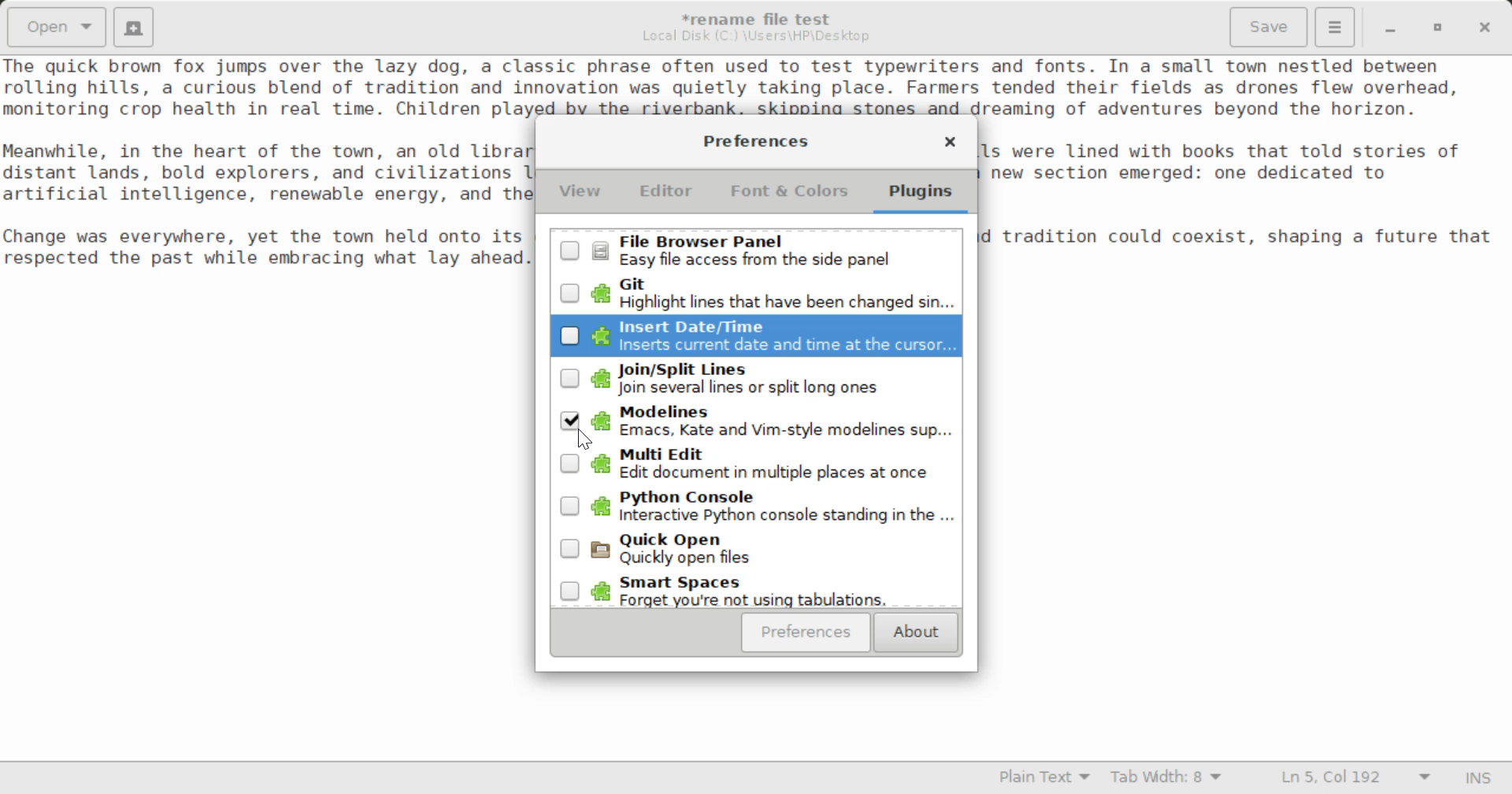  What do you see at coordinates (756, 86) in the screenshot?
I see `Sample text about a charming town` at bounding box center [756, 86].